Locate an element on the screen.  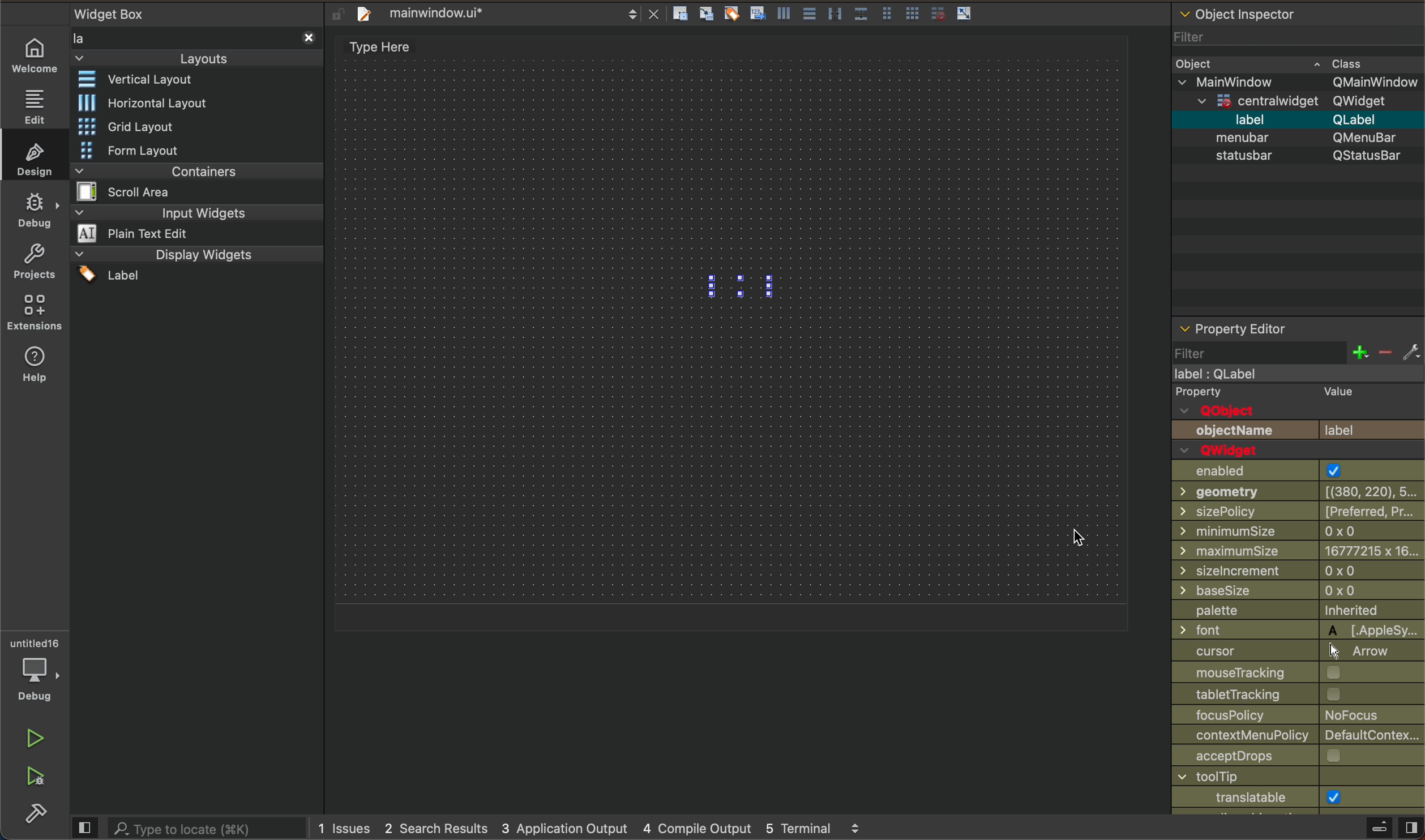
display widgets is located at coordinates (197, 267).